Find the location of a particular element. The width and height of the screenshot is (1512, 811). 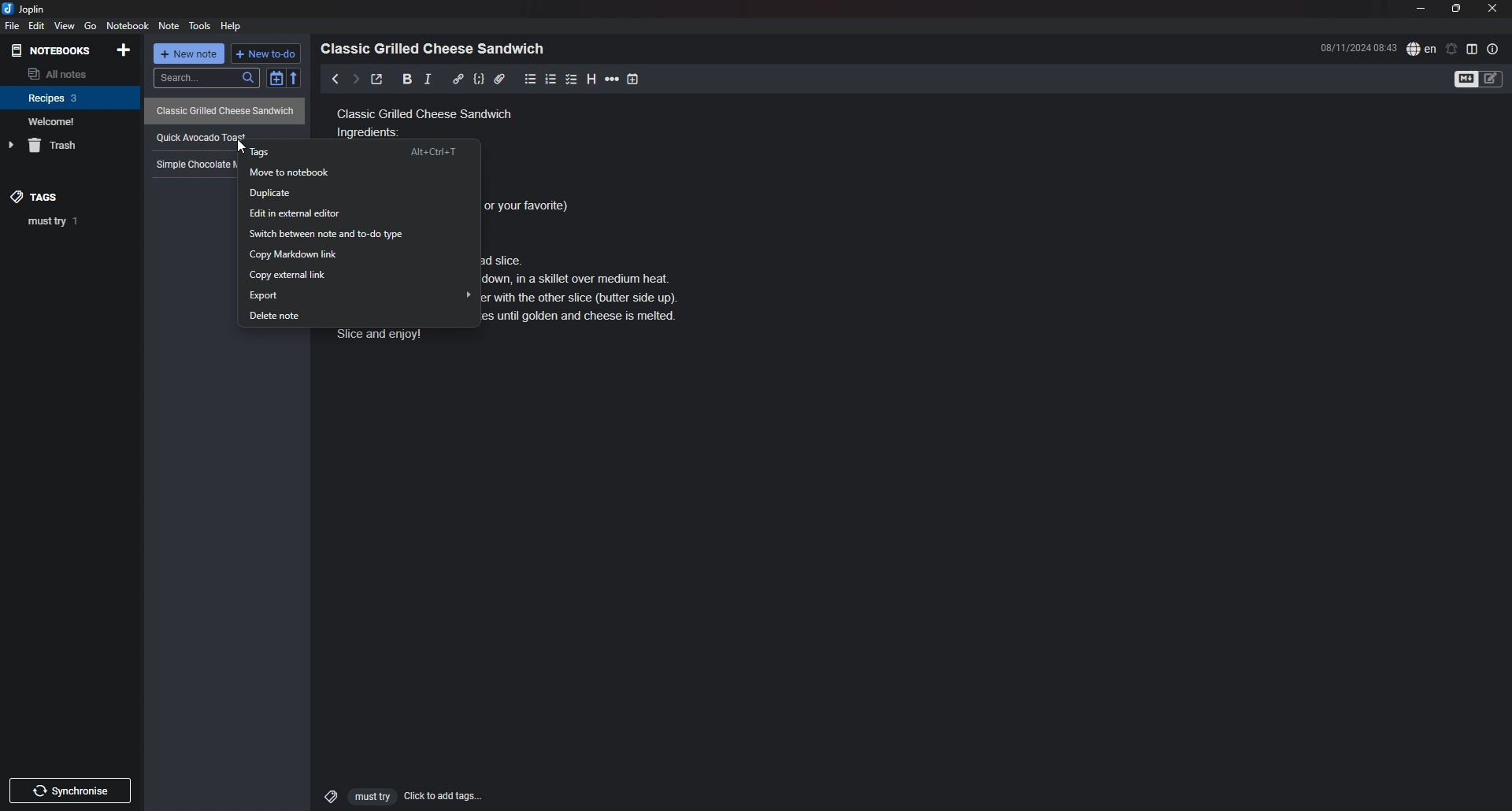

attachment is located at coordinates (499, 79).